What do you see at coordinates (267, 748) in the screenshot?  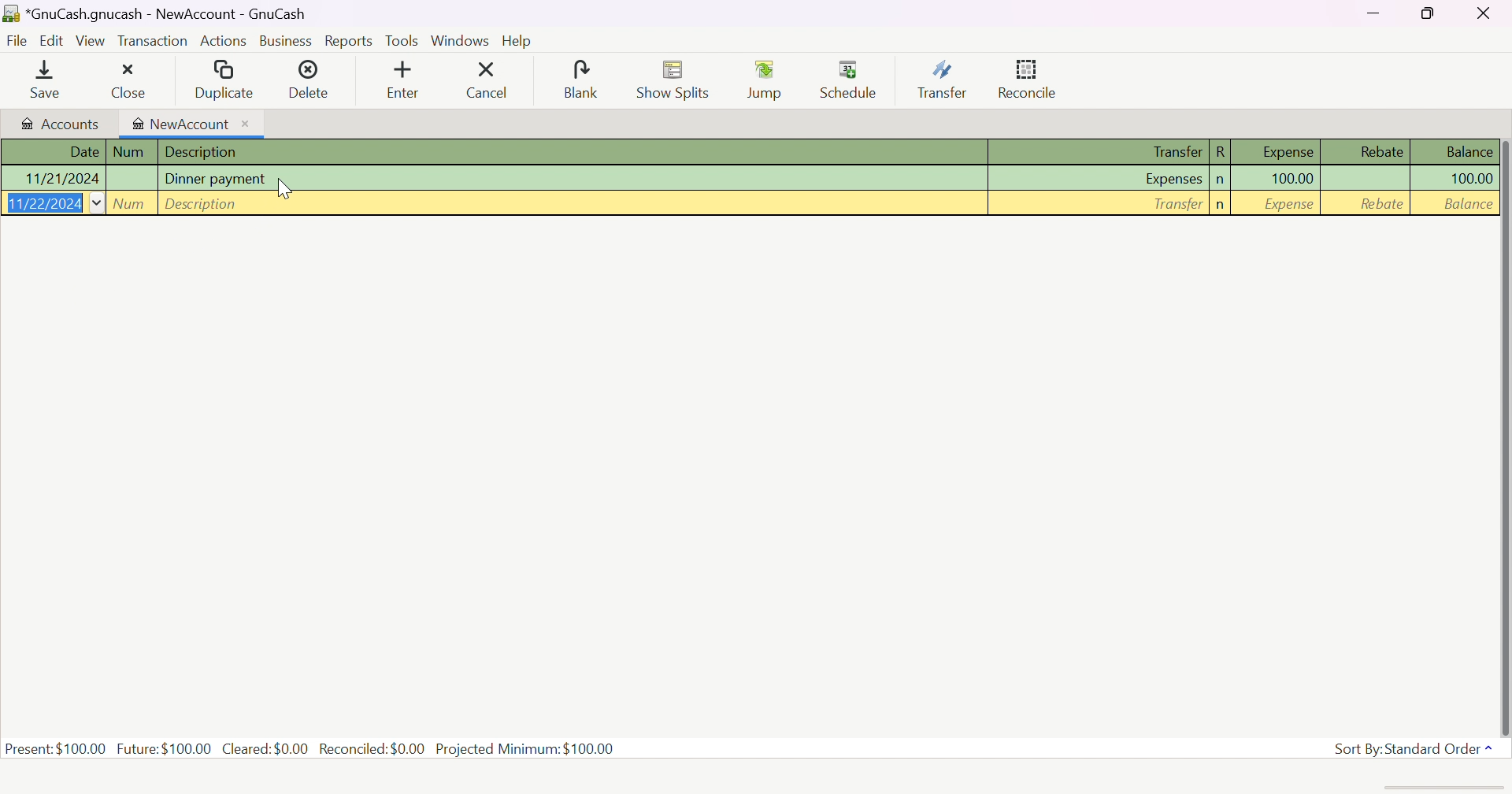 I see `Cleared: $0.00` at bounding box center [267, 748].